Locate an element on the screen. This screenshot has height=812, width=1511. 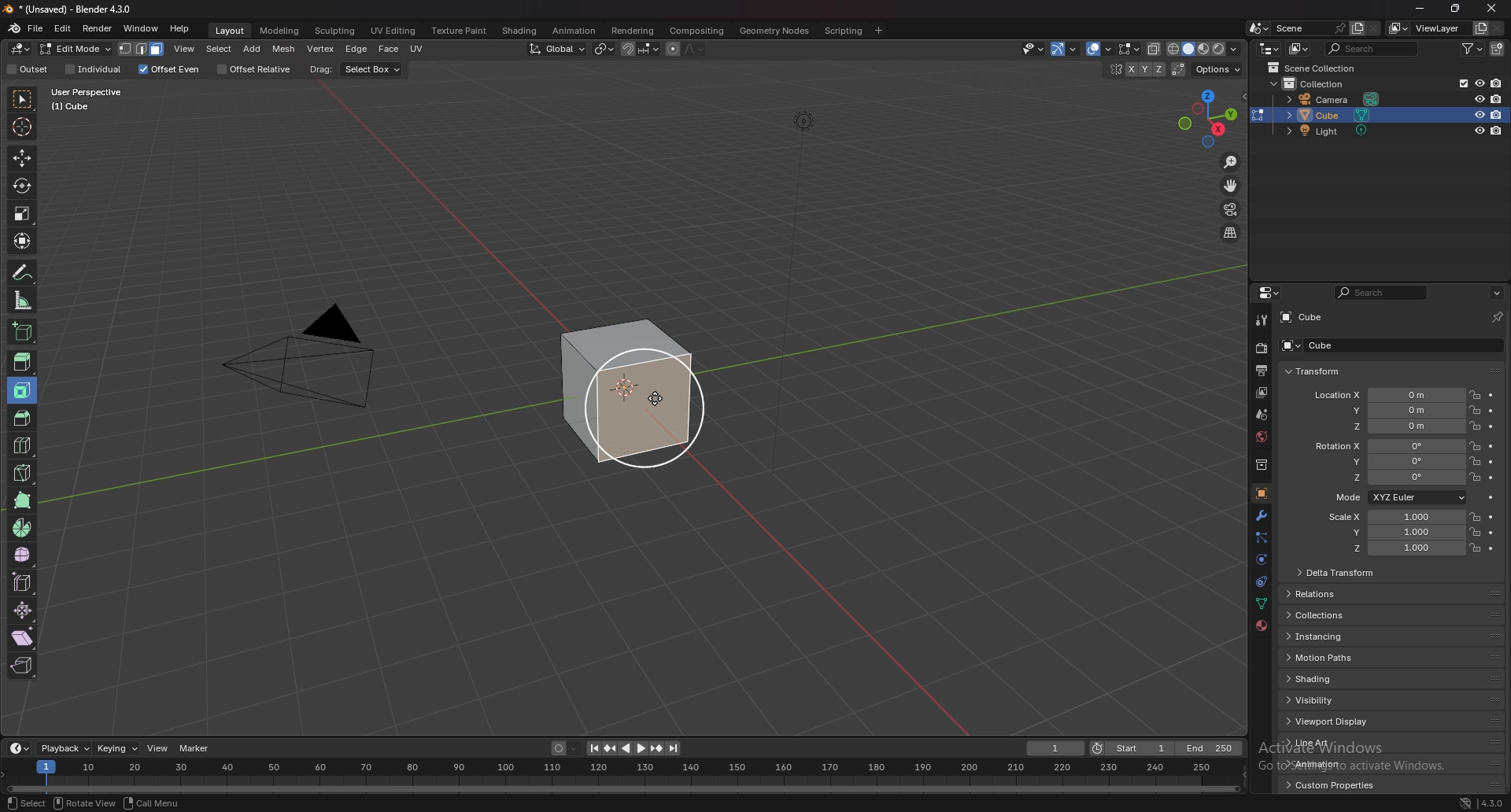
physics is located at coordinates (1260, 583).